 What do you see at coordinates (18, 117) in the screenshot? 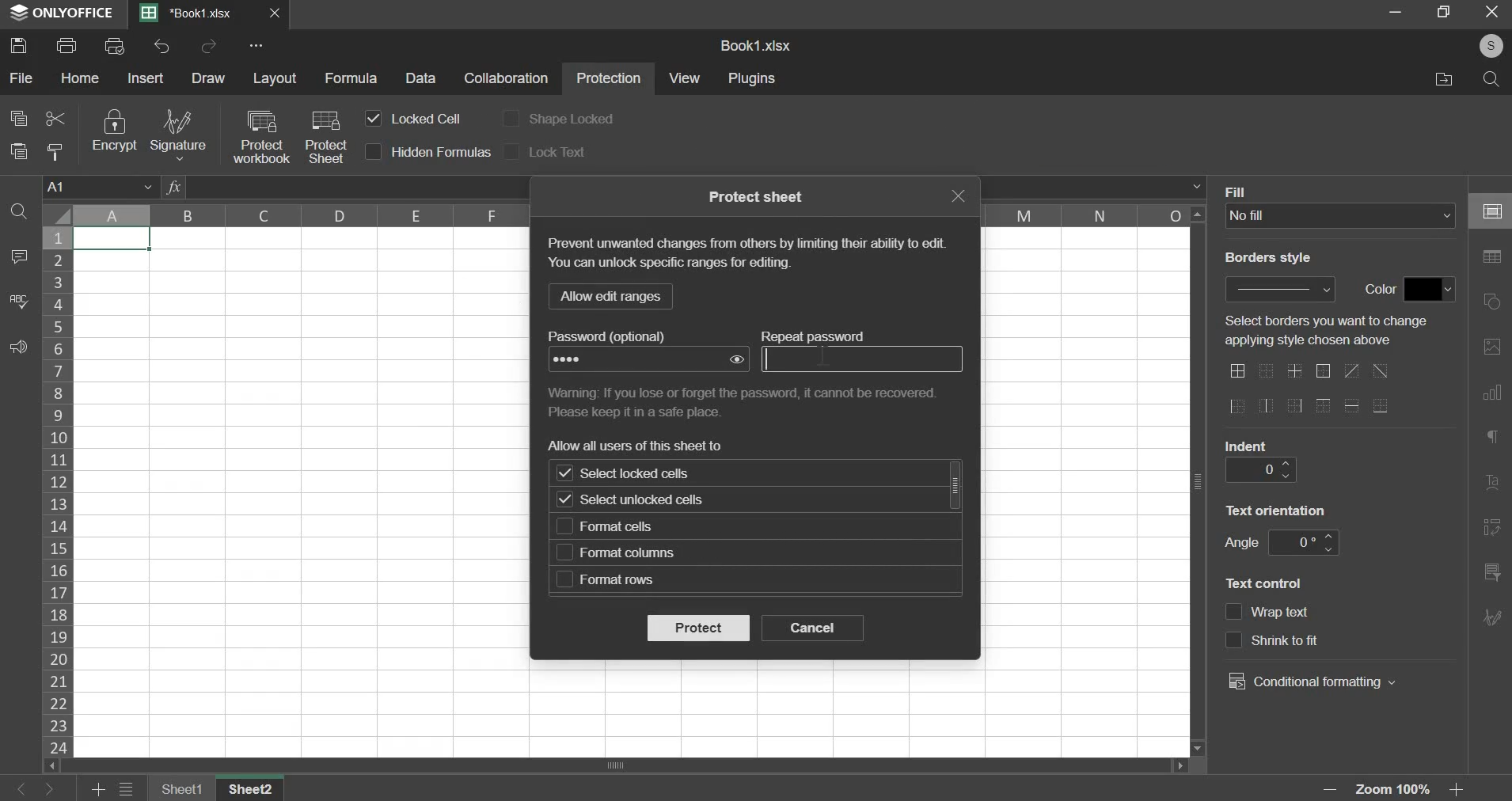
I see `copy` at bounding box center [18, 117].